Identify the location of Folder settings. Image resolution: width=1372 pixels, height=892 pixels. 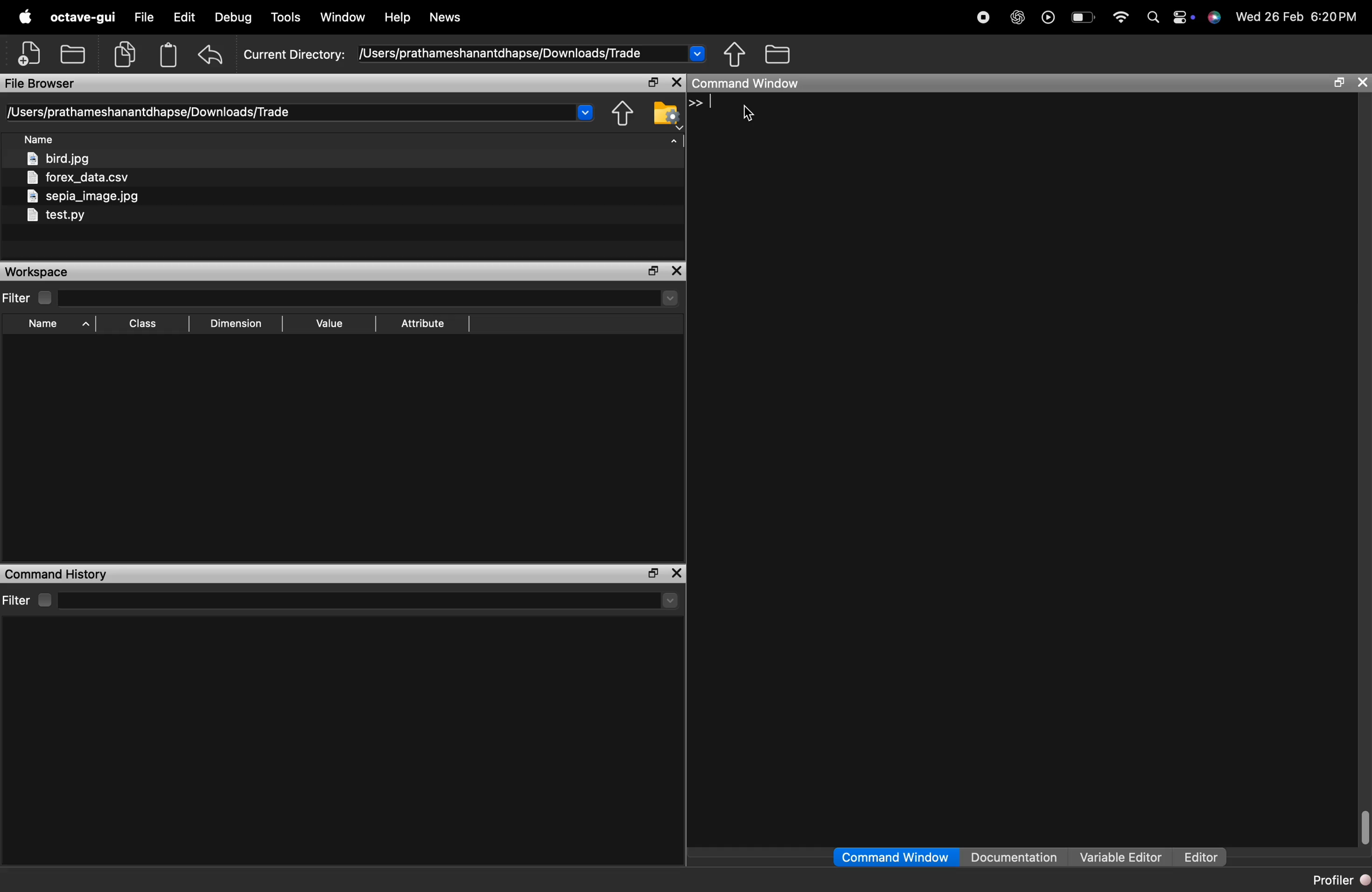
(666, 116).